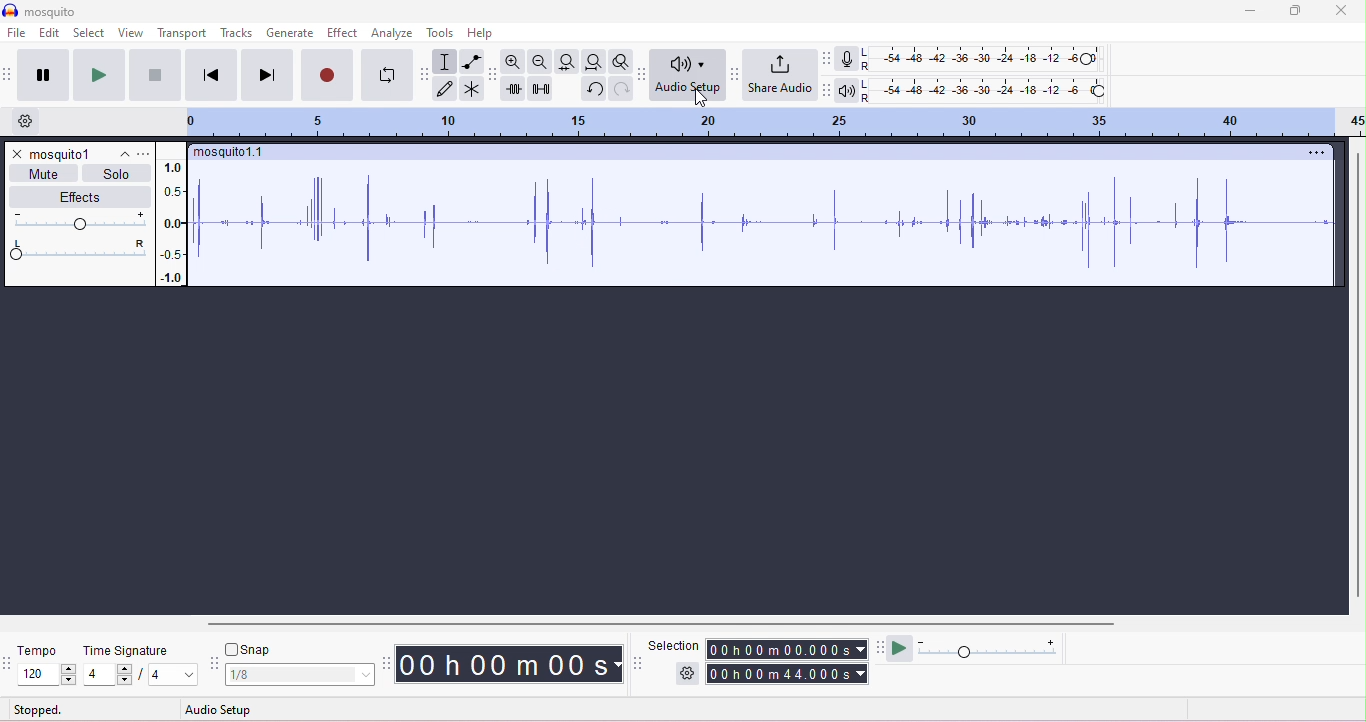 This screenshot has height=722, width=1366. Describe the element at coordinates (767, 223) in the screenshot. I see `waveform` at that location.